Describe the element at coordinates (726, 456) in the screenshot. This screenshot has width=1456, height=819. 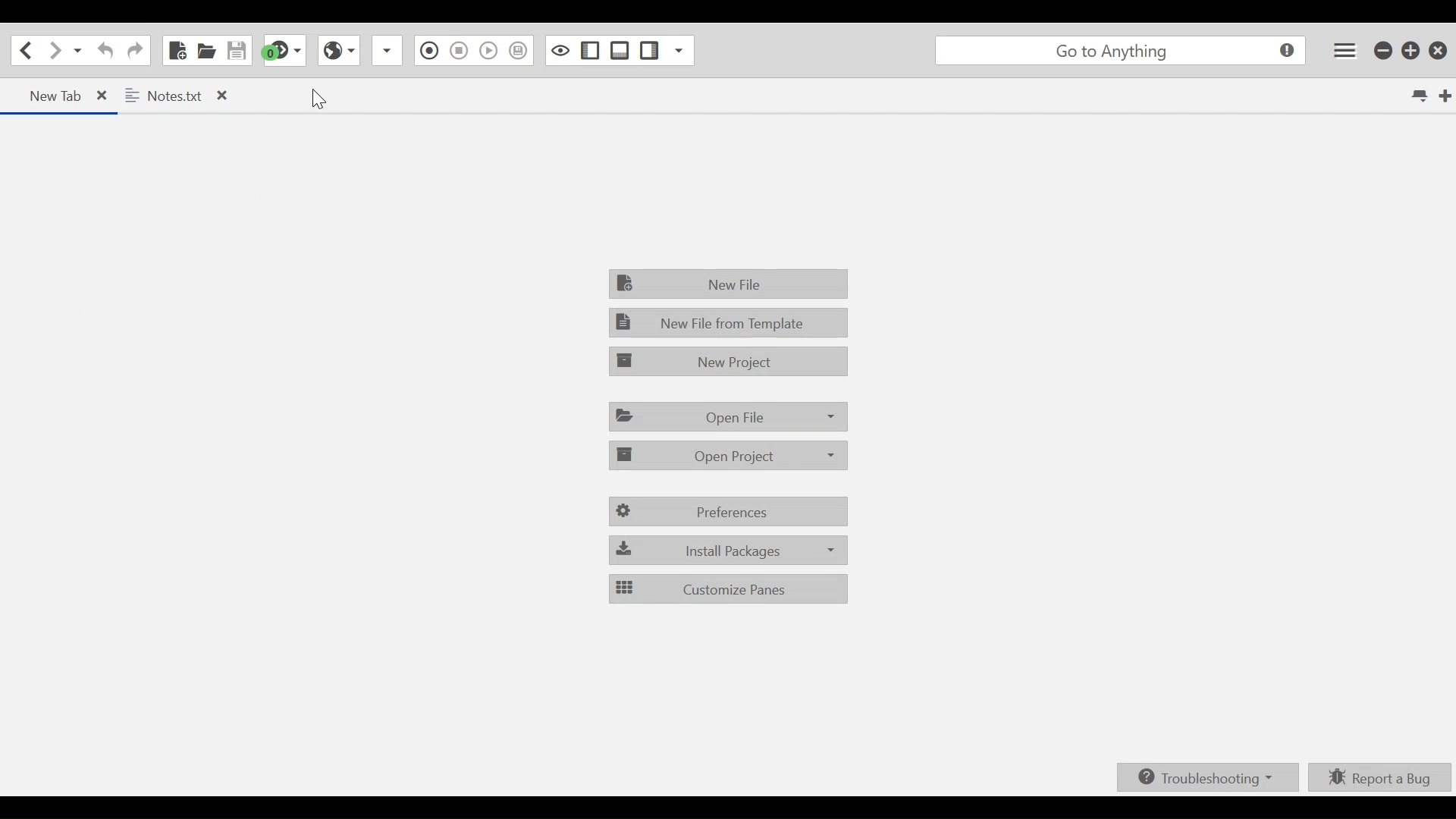
I see `Open Project` at that location.